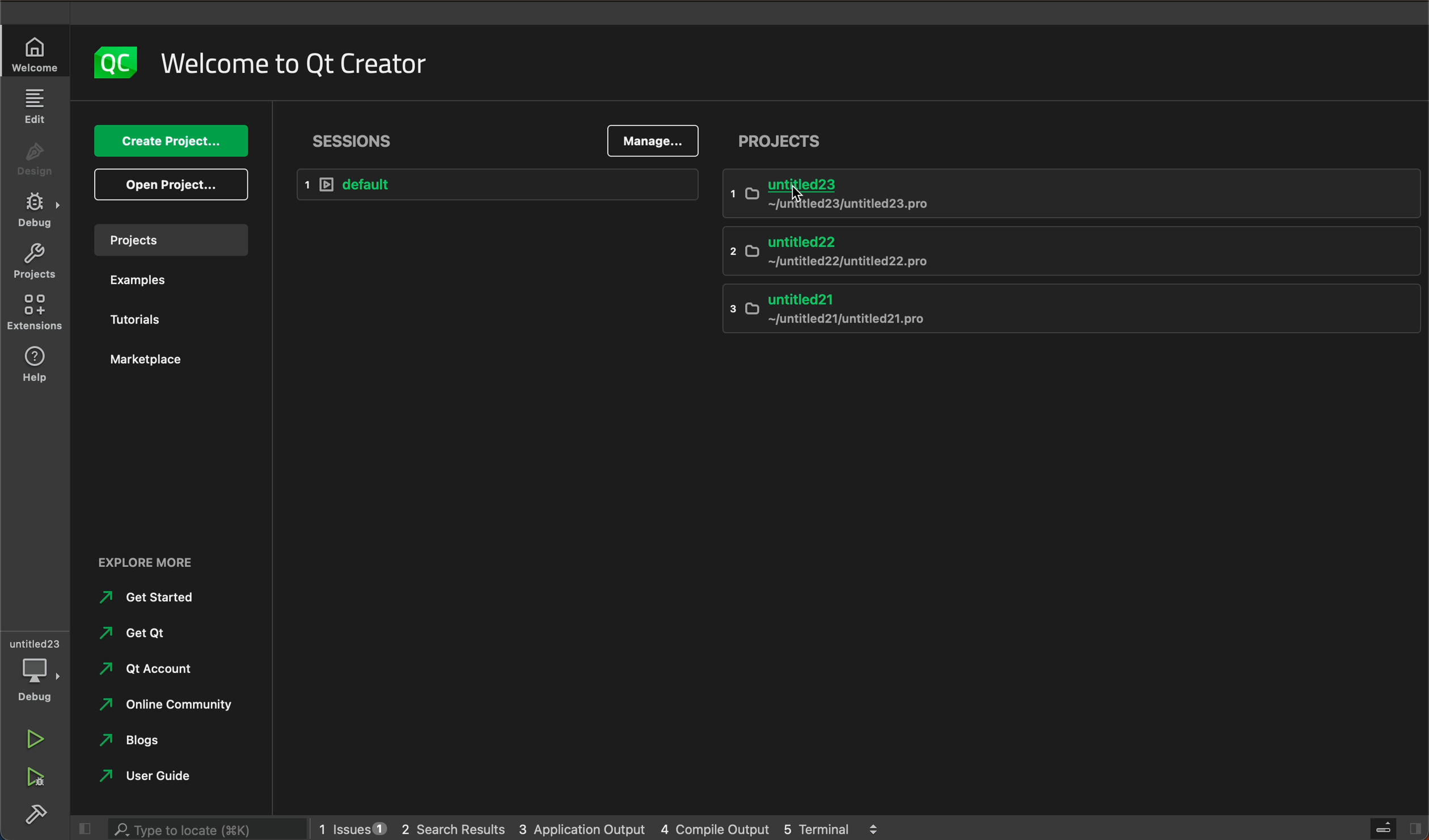 The image size is (1429, 840). I want to click on design, so click(35, 164).